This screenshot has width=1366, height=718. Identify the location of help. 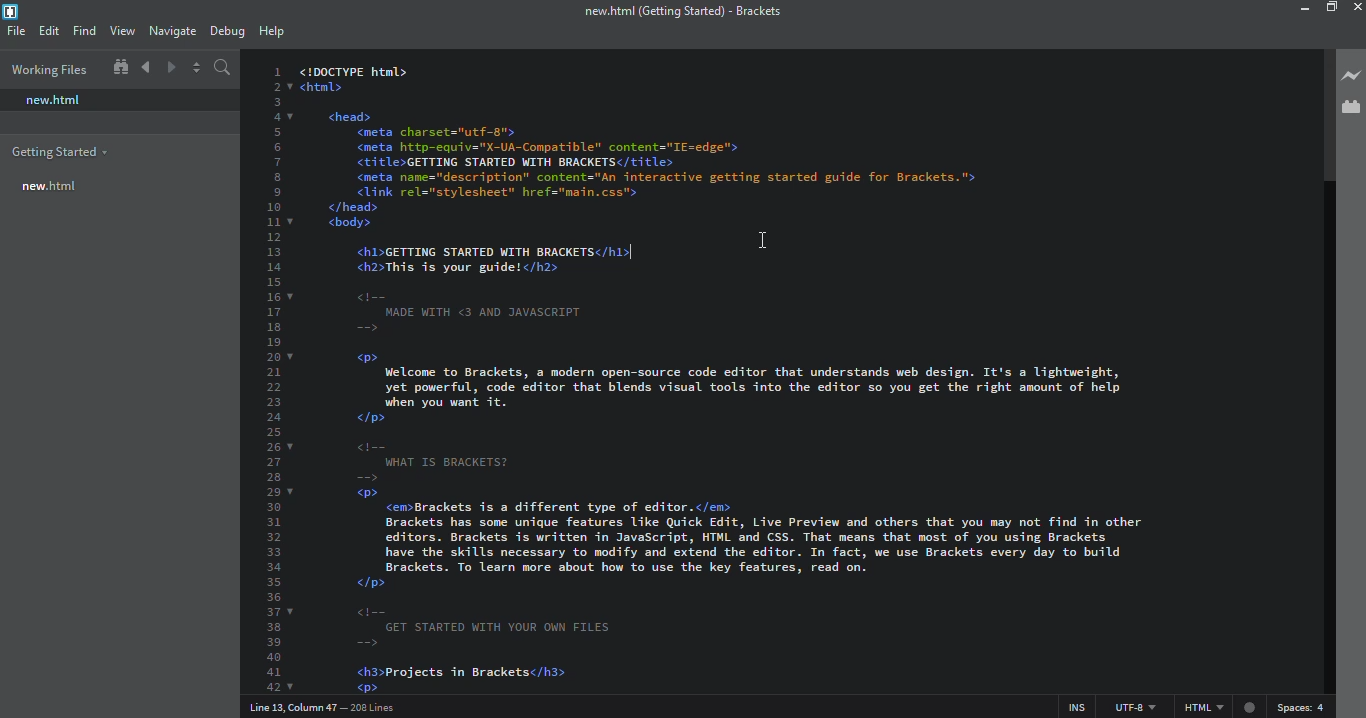
(270, 28).